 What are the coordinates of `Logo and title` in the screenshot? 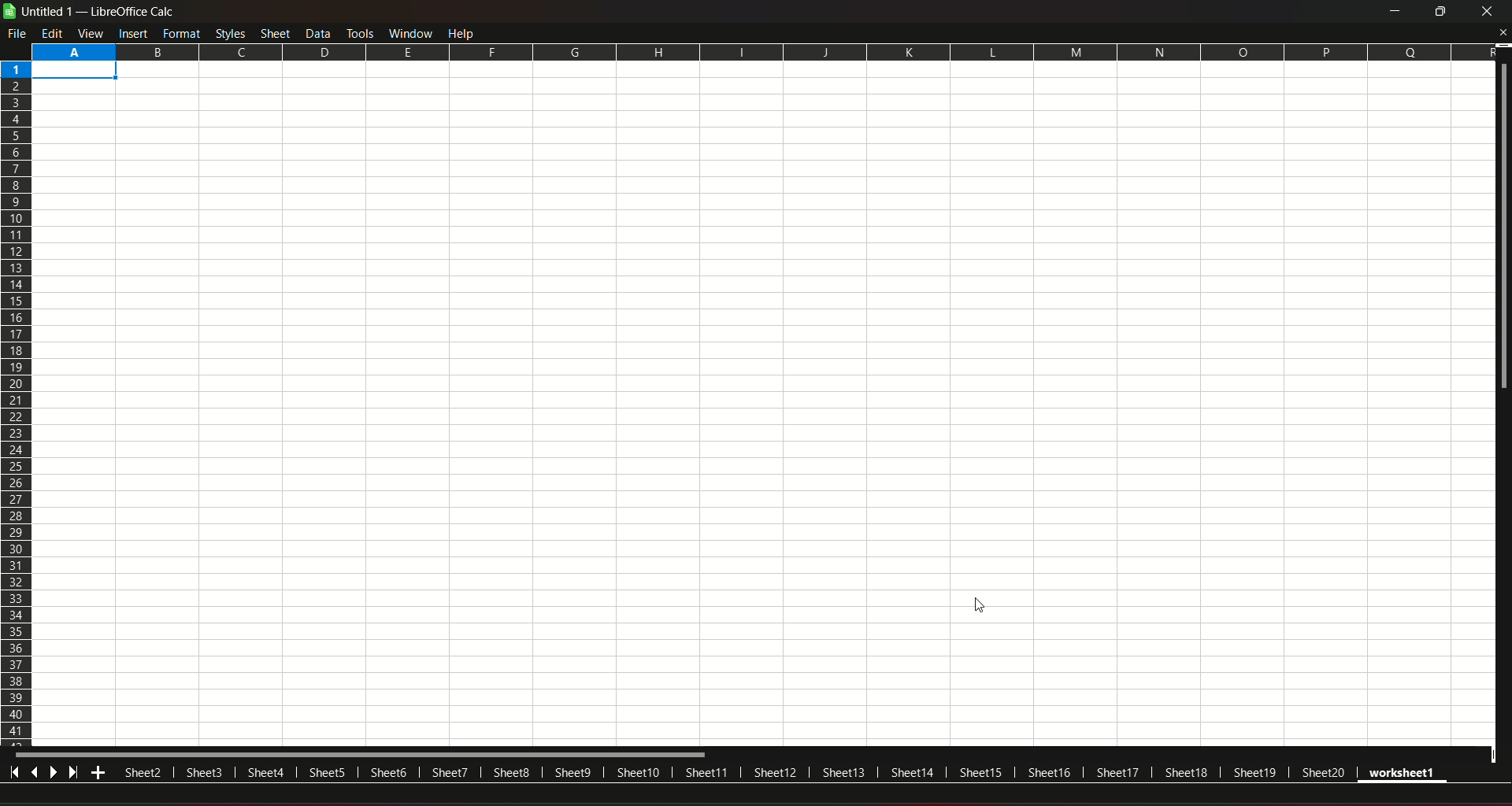 It's located at (90, 11).